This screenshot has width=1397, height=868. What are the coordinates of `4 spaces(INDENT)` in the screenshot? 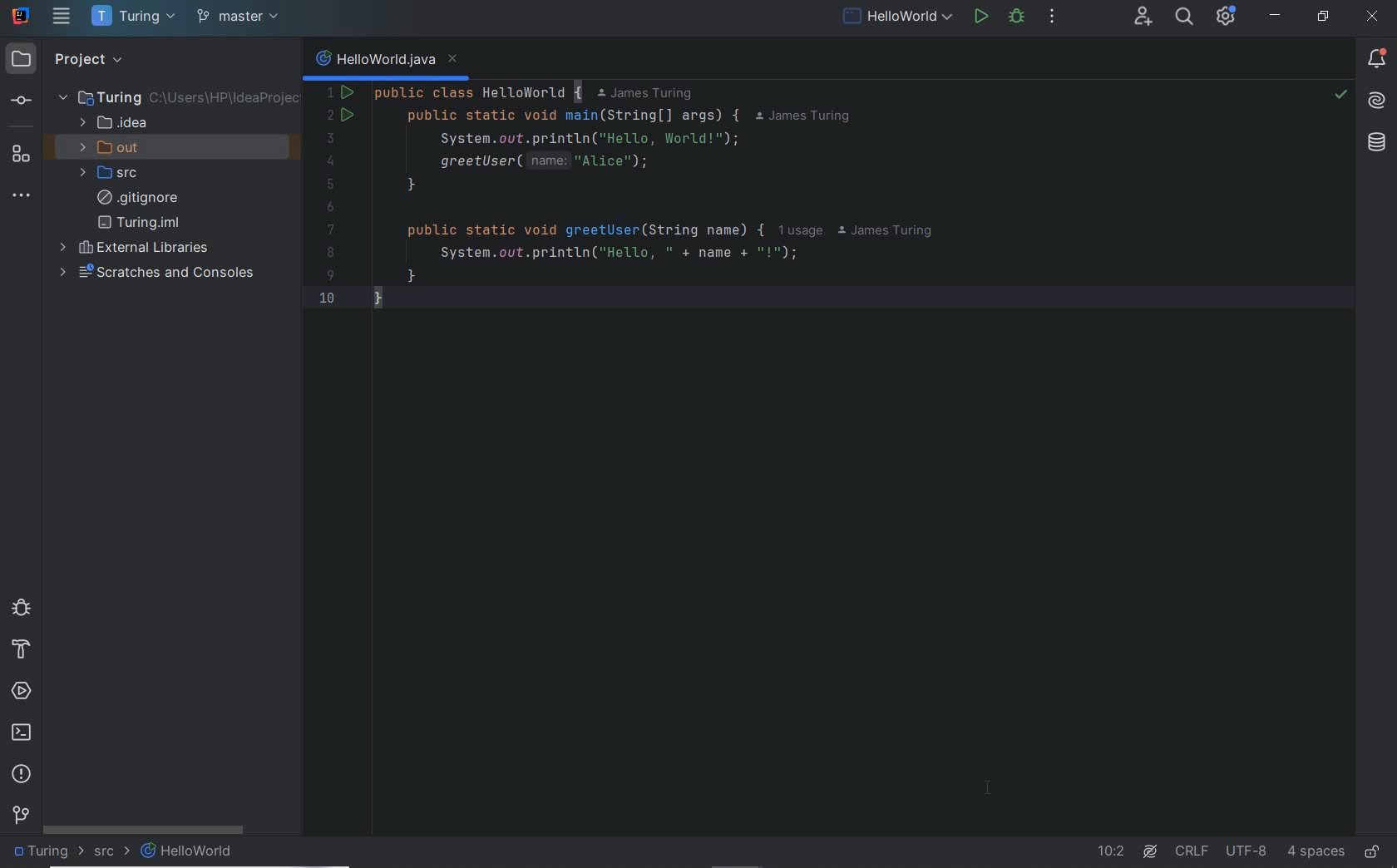 It's located at (1316, 850).